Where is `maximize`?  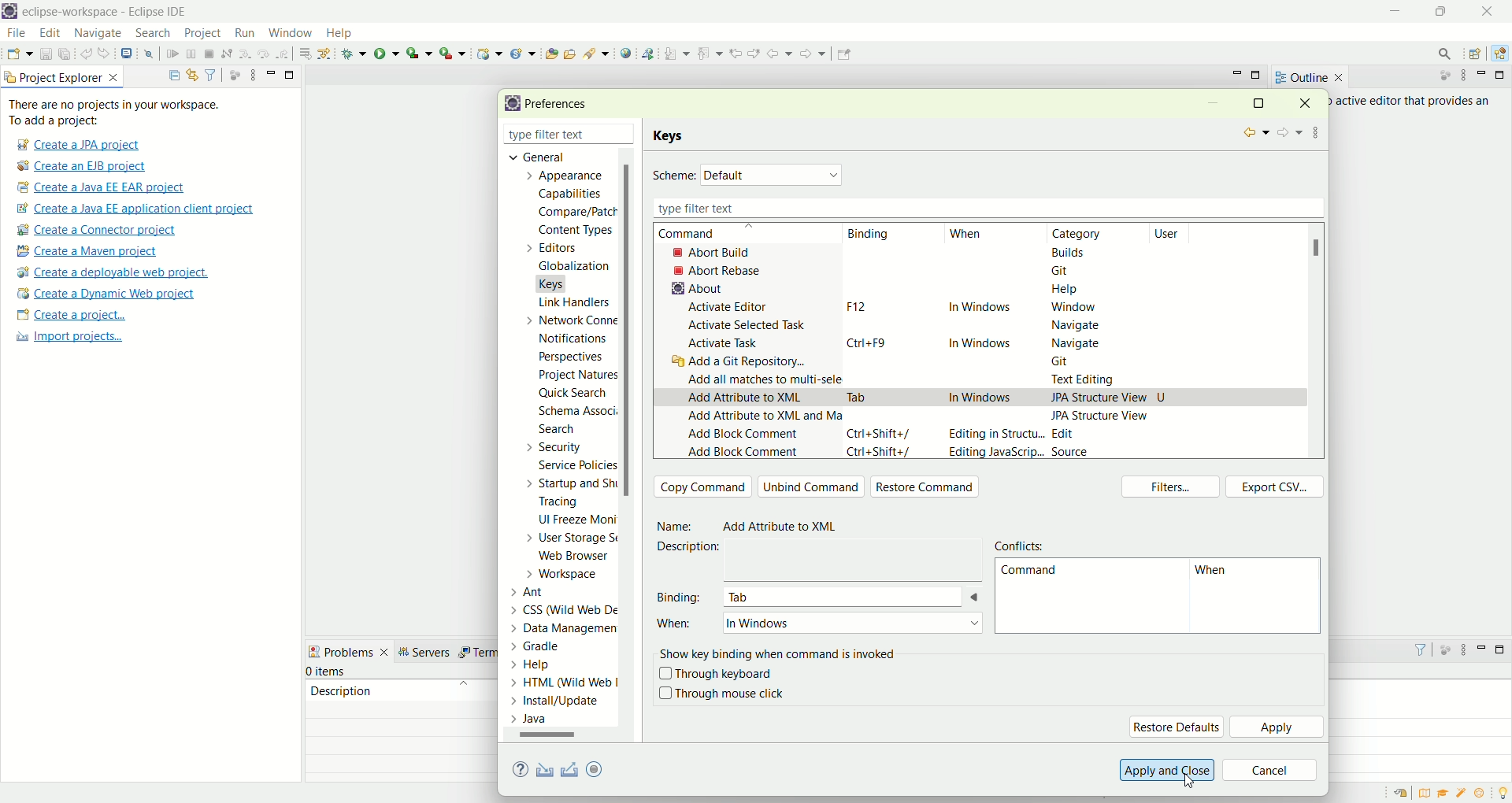 maximize is located at coordinates (1503, 649).